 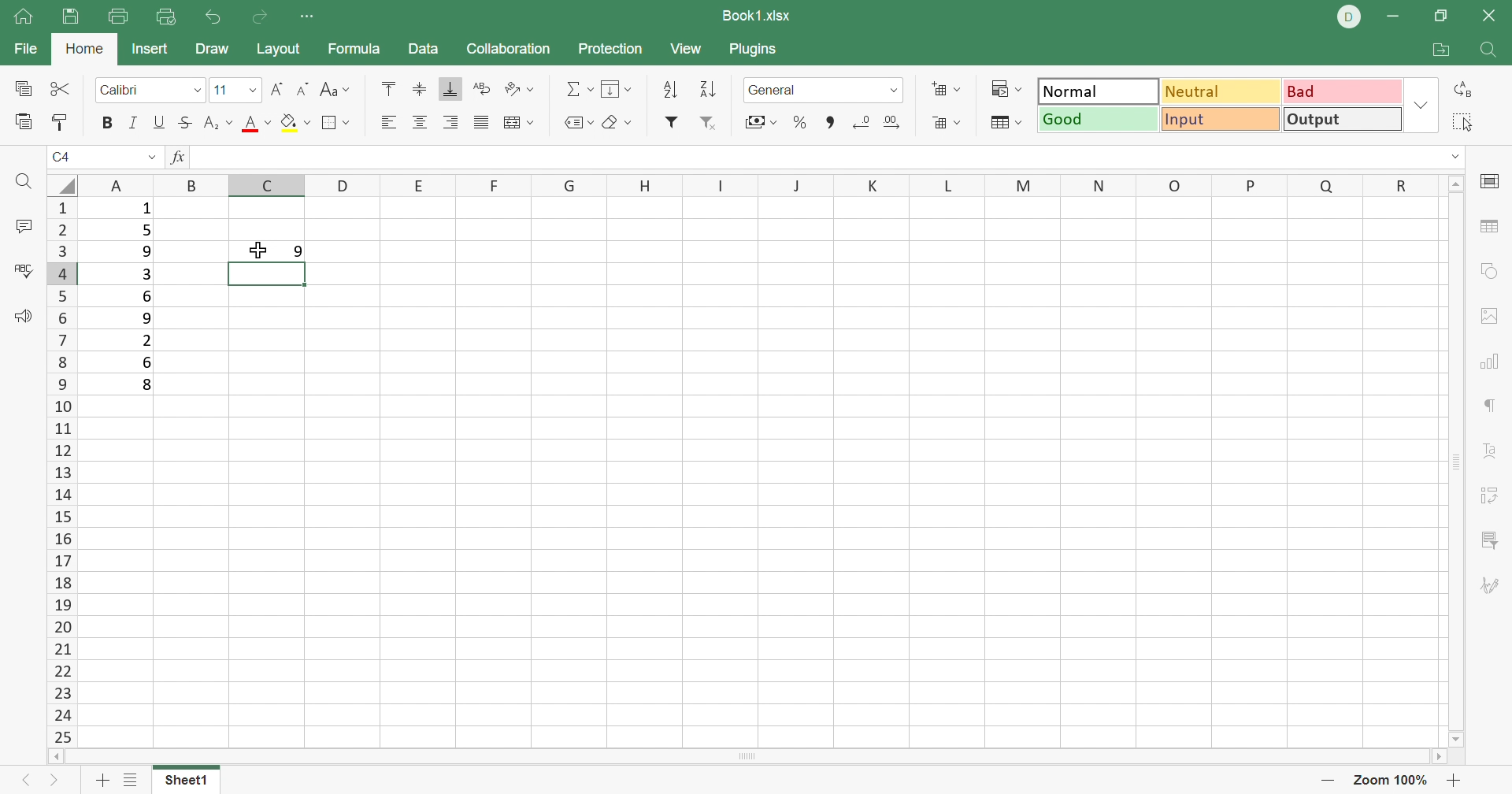 What do you see at coordinates (129, 92) in the screenshot?
I see `Font` at bounding box center [129, 92].